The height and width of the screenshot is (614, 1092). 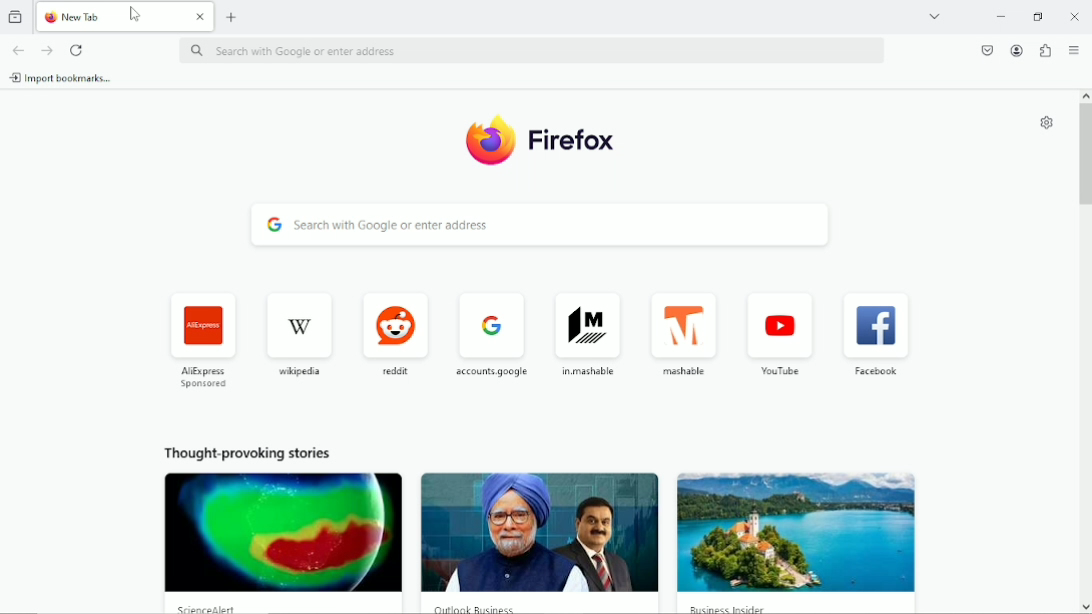 What do you see at coordinates (538, 138) in the screenshot?
I see `Firefox` at bounding box center [538, 138].